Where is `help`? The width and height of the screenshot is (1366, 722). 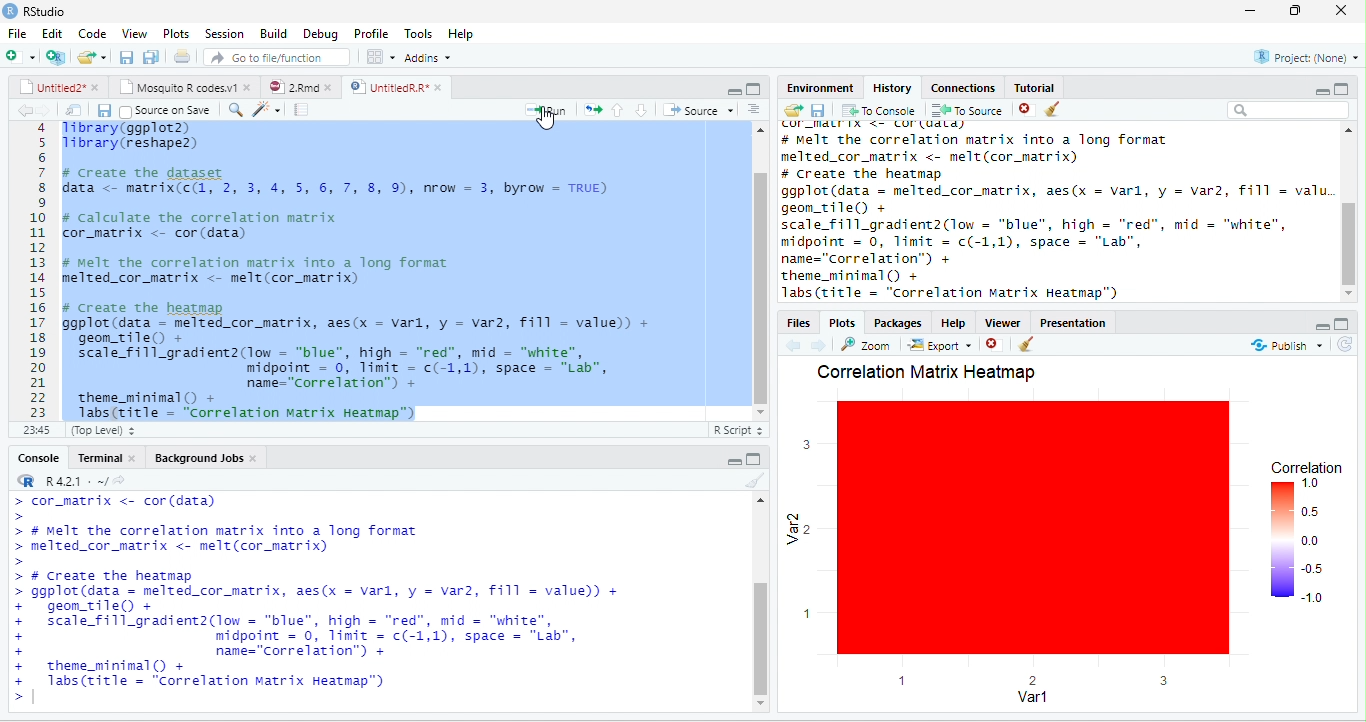
help is located at coordinates (951, 322).